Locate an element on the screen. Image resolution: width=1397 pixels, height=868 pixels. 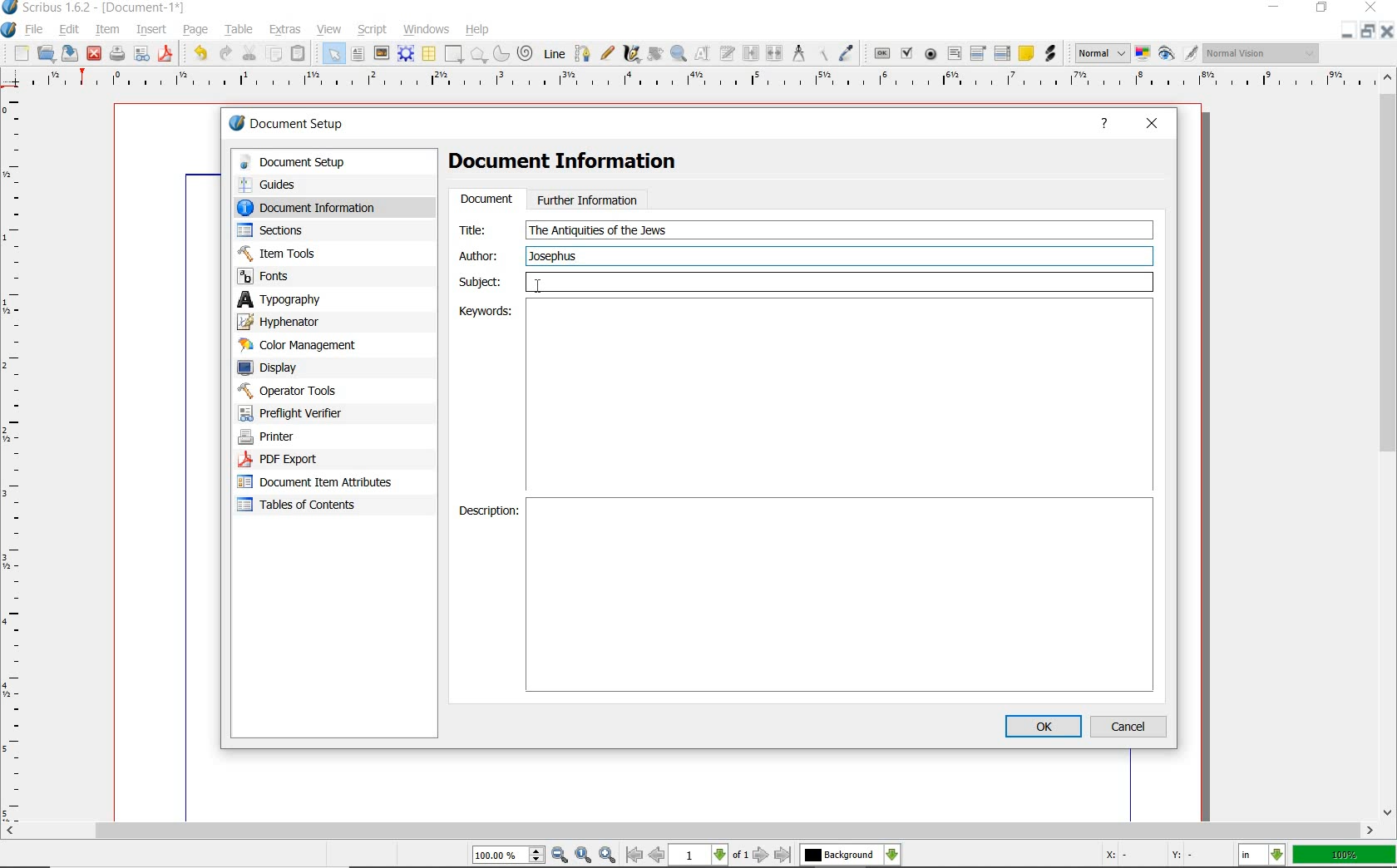
close is located at coordinates (1389, 31).